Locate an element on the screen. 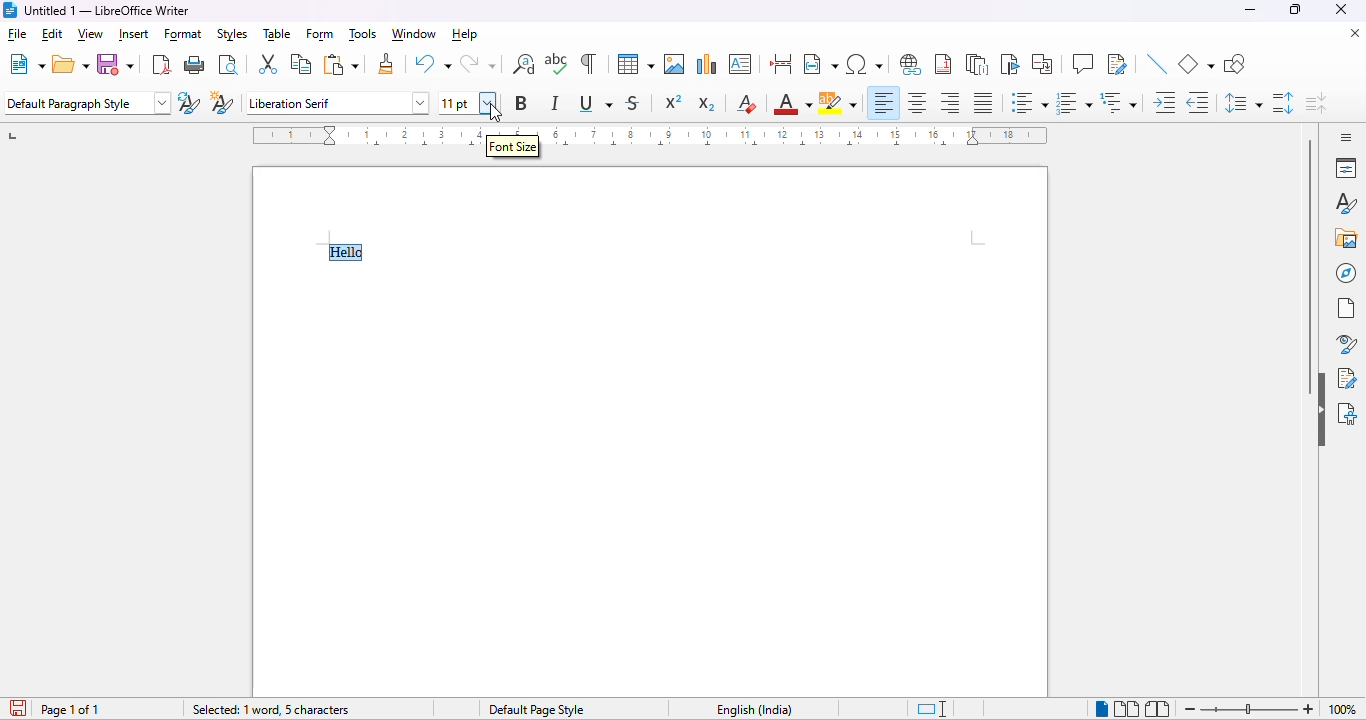 The height and width of the screenshot is (720, 1366). toggle print preview is located at coordinates (230, 64).